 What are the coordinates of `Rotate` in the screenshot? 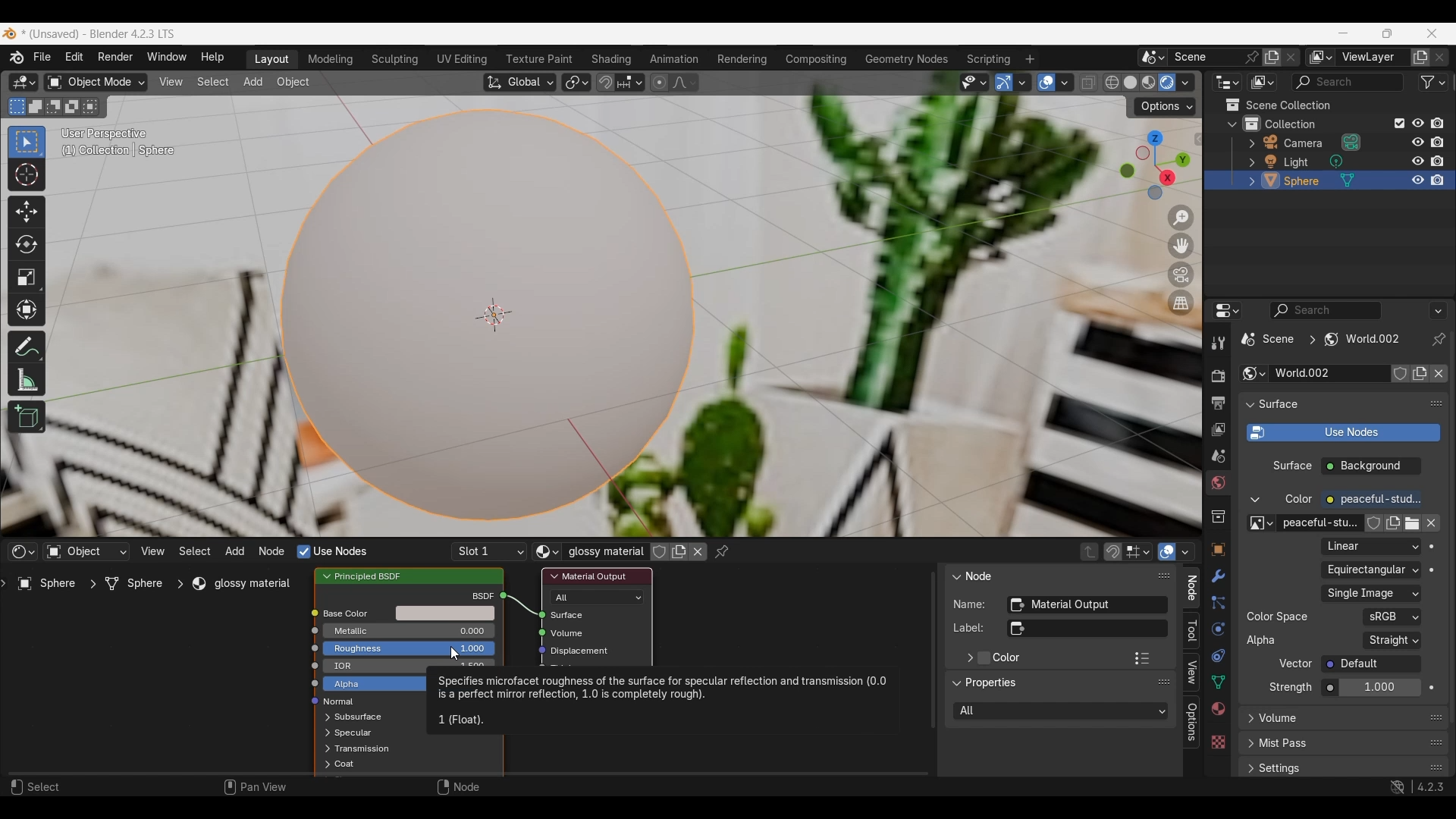 It's located at (27, 243).